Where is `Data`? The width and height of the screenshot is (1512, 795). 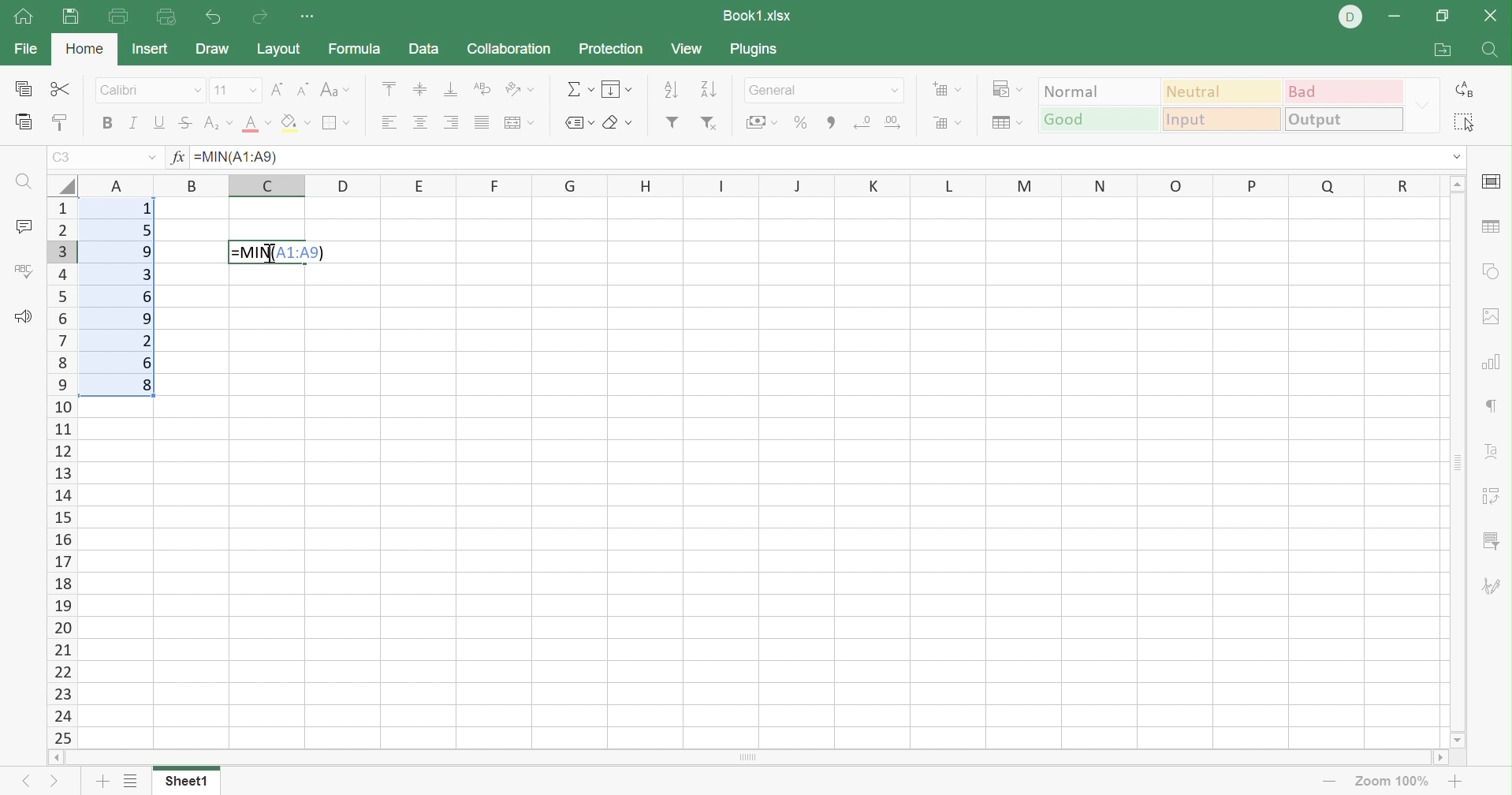 Data is located at coordinates (424, 50).